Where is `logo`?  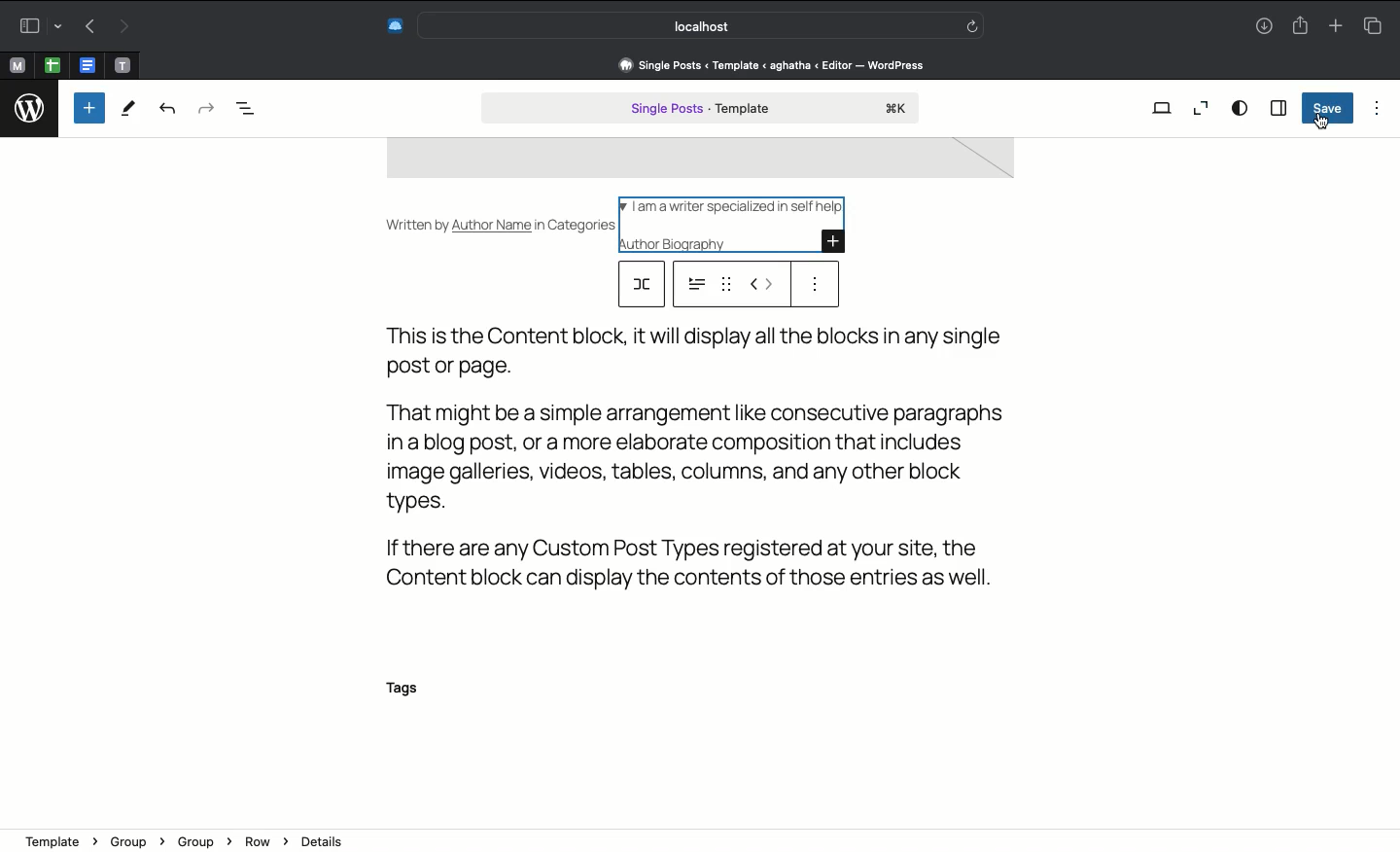 logo is located at coordinates (31, 104).